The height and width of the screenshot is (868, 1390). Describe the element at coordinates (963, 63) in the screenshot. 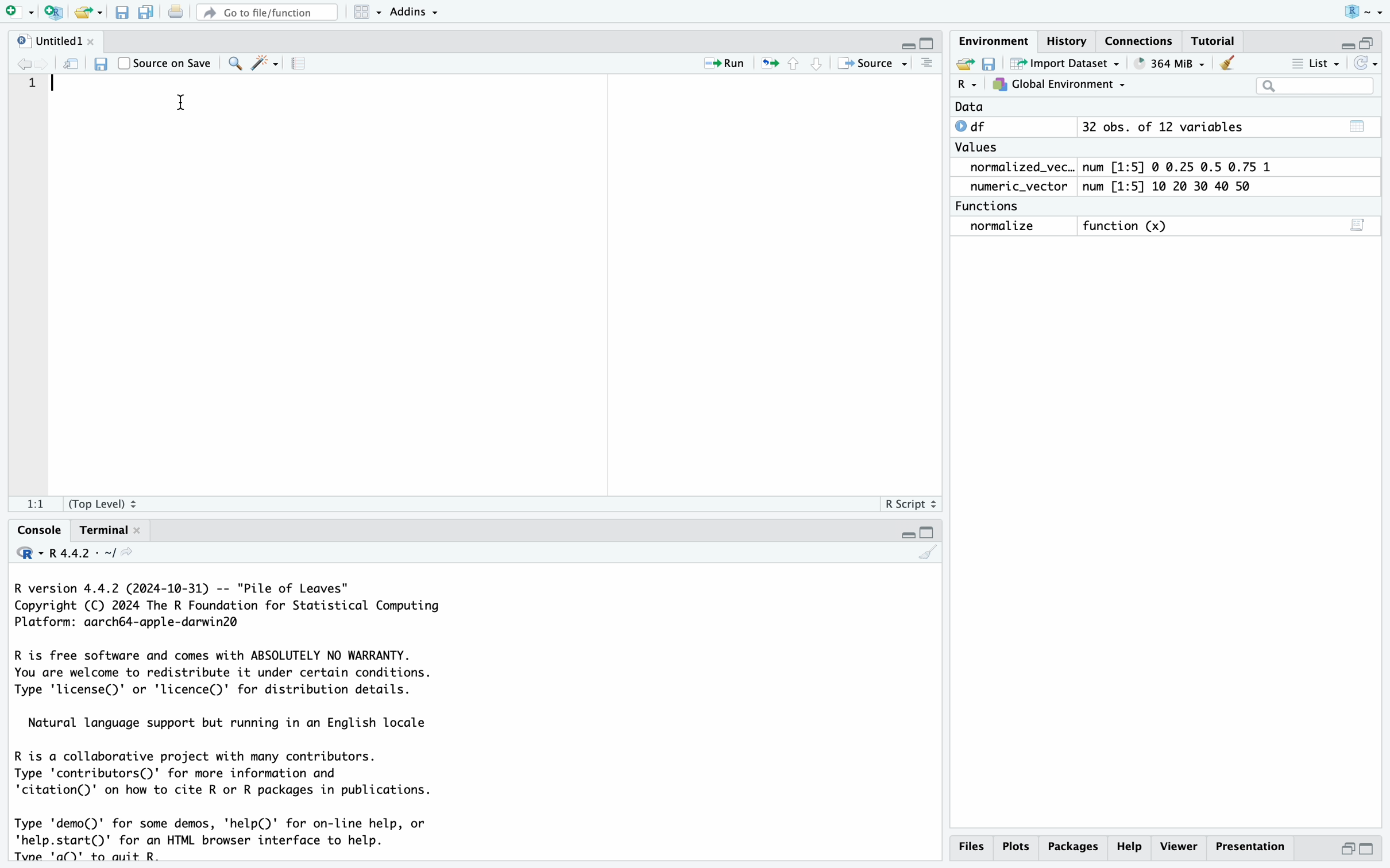

I see `Open` at that location.